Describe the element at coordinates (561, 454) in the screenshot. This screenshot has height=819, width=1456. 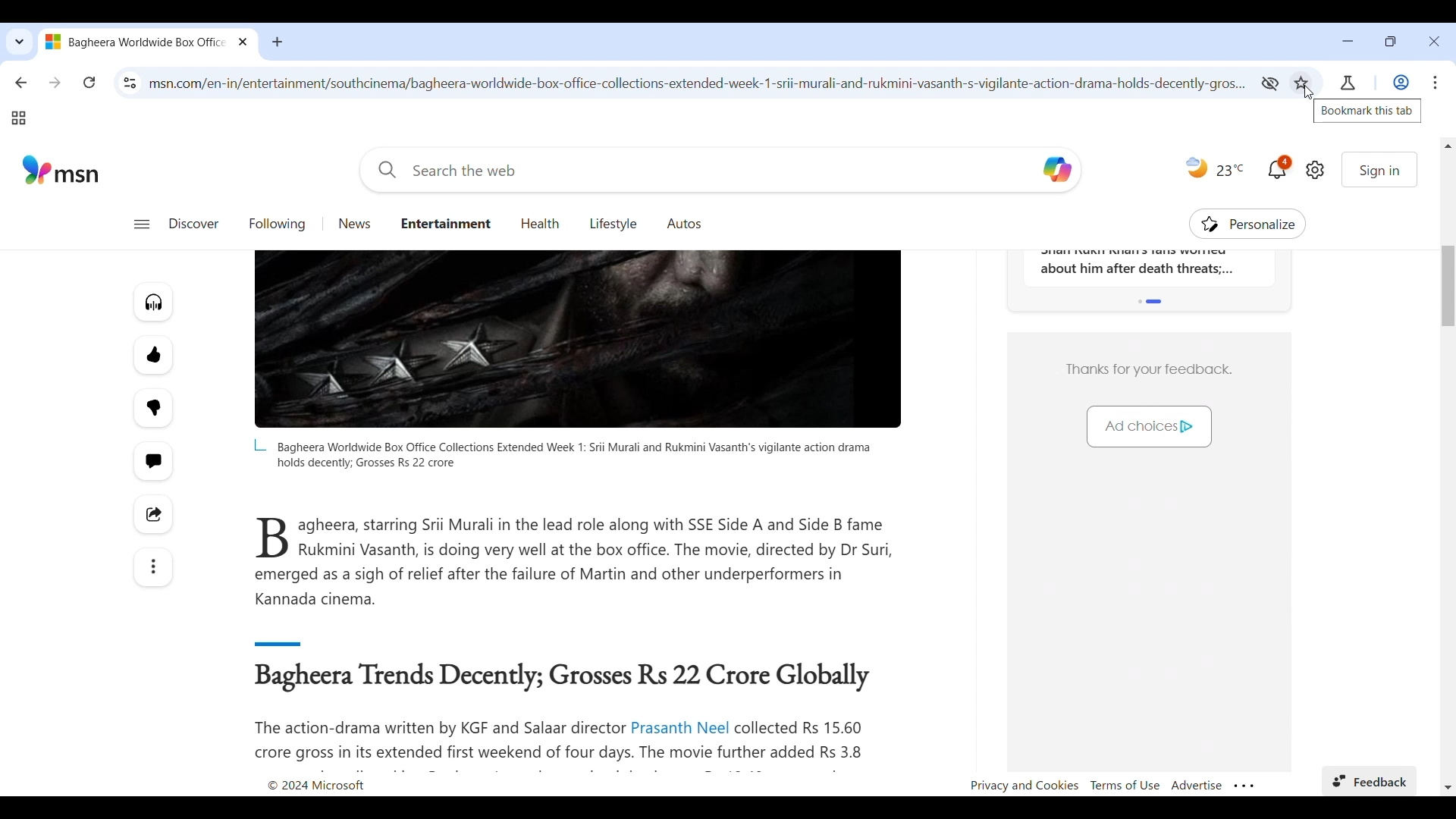
I see `Tag line of image` at that location.